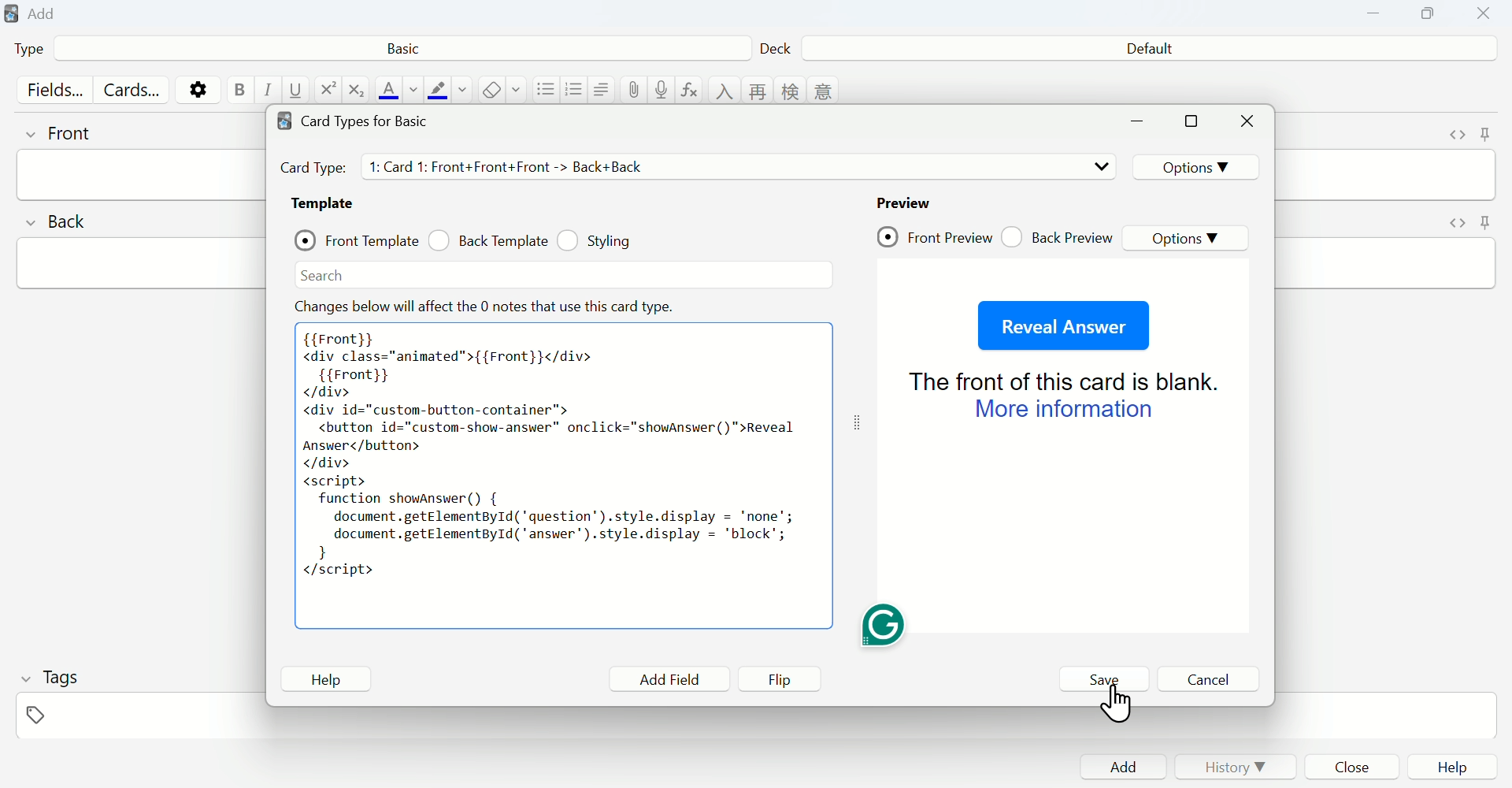 This screenshot has height=788, width=1512. What do you see at coordinates (756, 90) in the screenshot?
I see `language` at bounding box center [756, 90].